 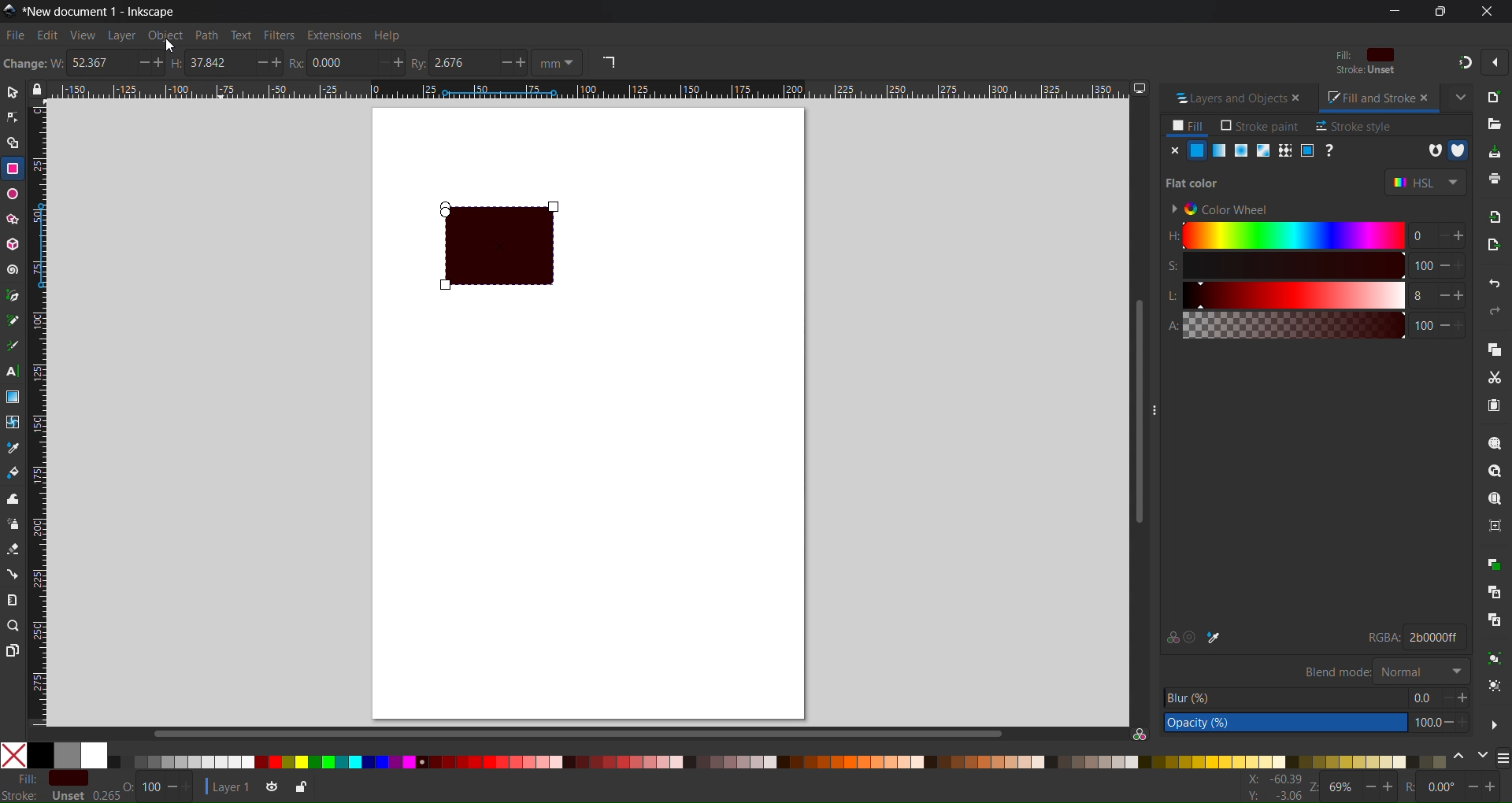 I want to click on Height of the rectangle 37.842, so click(x=213, y=65).